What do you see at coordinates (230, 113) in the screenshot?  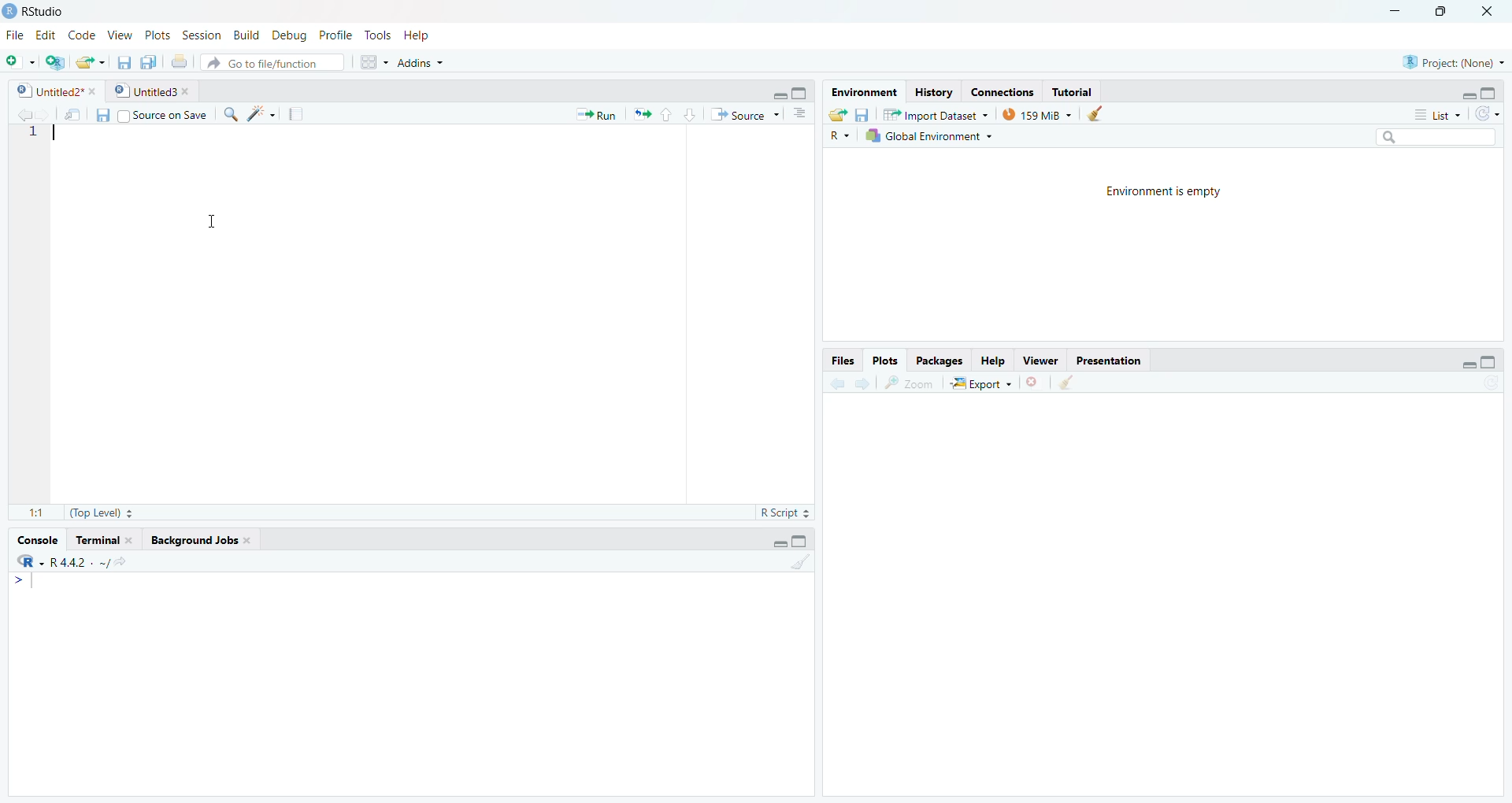 I see `Find/Replace` at bounding box center [230, 113].